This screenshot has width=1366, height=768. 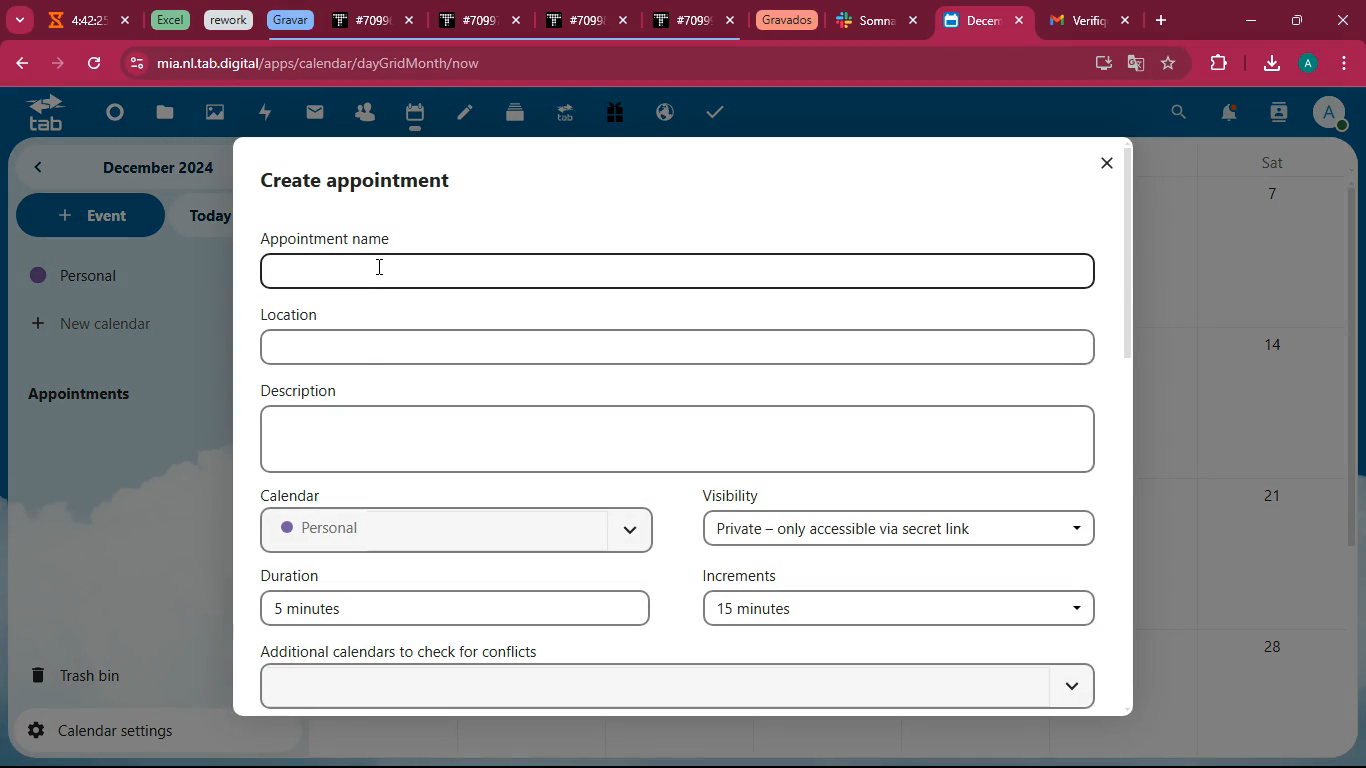 What do you see at coordinates (264, 114) in the screenshot?
I see `charge` at bounding box center [264, 114].